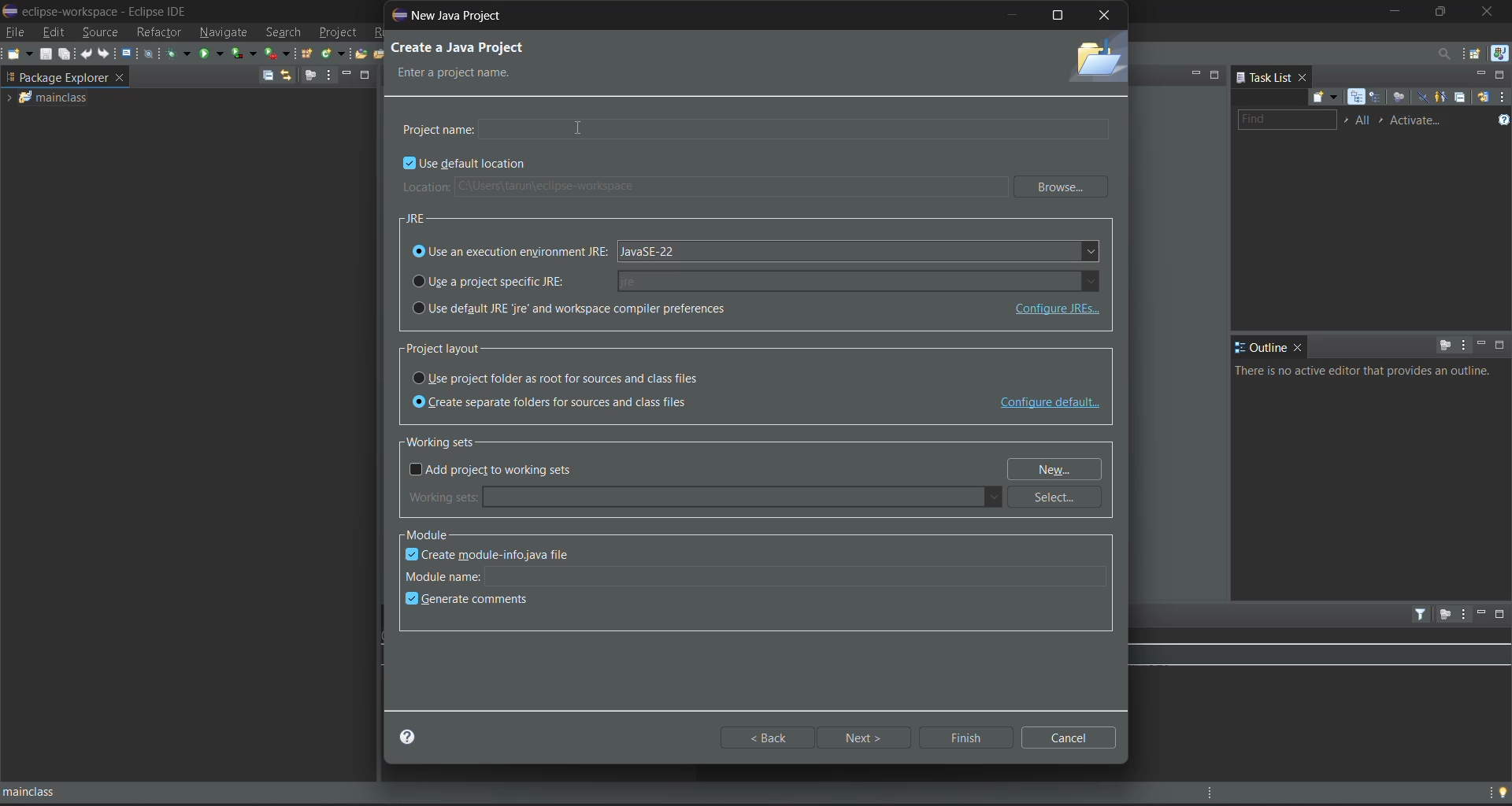 The height and width of the screenshot is (806, 1512). What do you see at coordinates (1104, 17) in the screenshot?
I see `close` at bounding box center [1104, 17].